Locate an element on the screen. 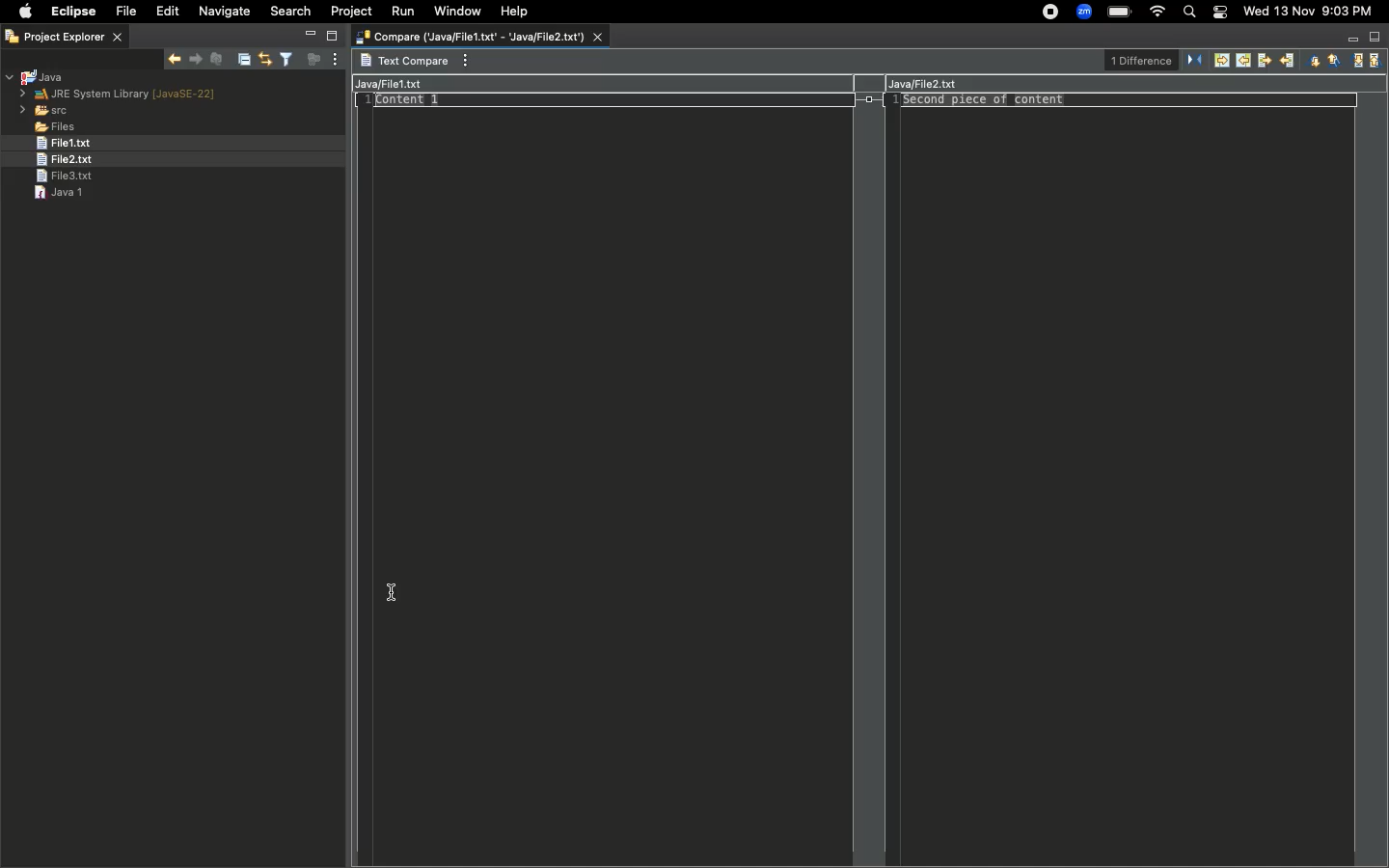 The width and height of the screenshot is (1389, 868). Search is located at coordinates (291, 11).